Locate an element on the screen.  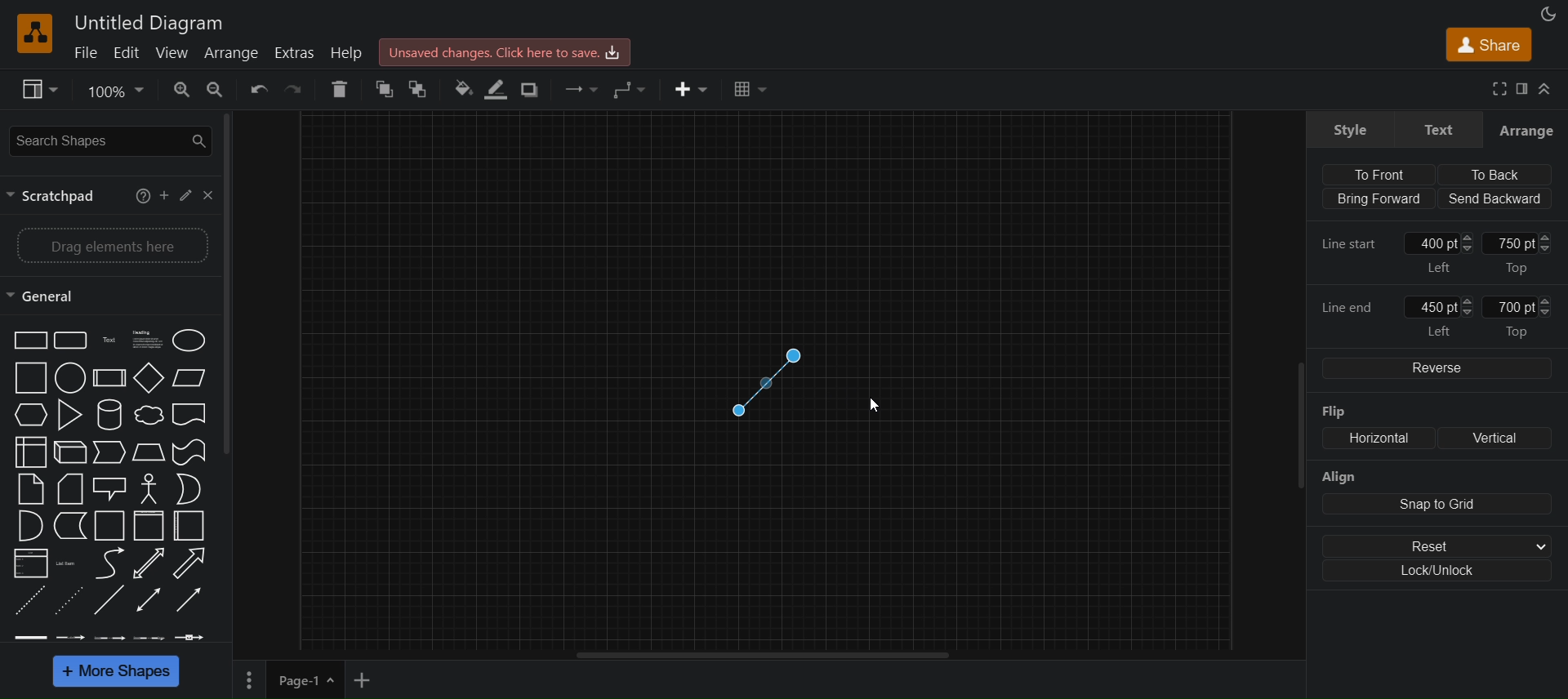
zoom out is located at coordinates (217, 89).